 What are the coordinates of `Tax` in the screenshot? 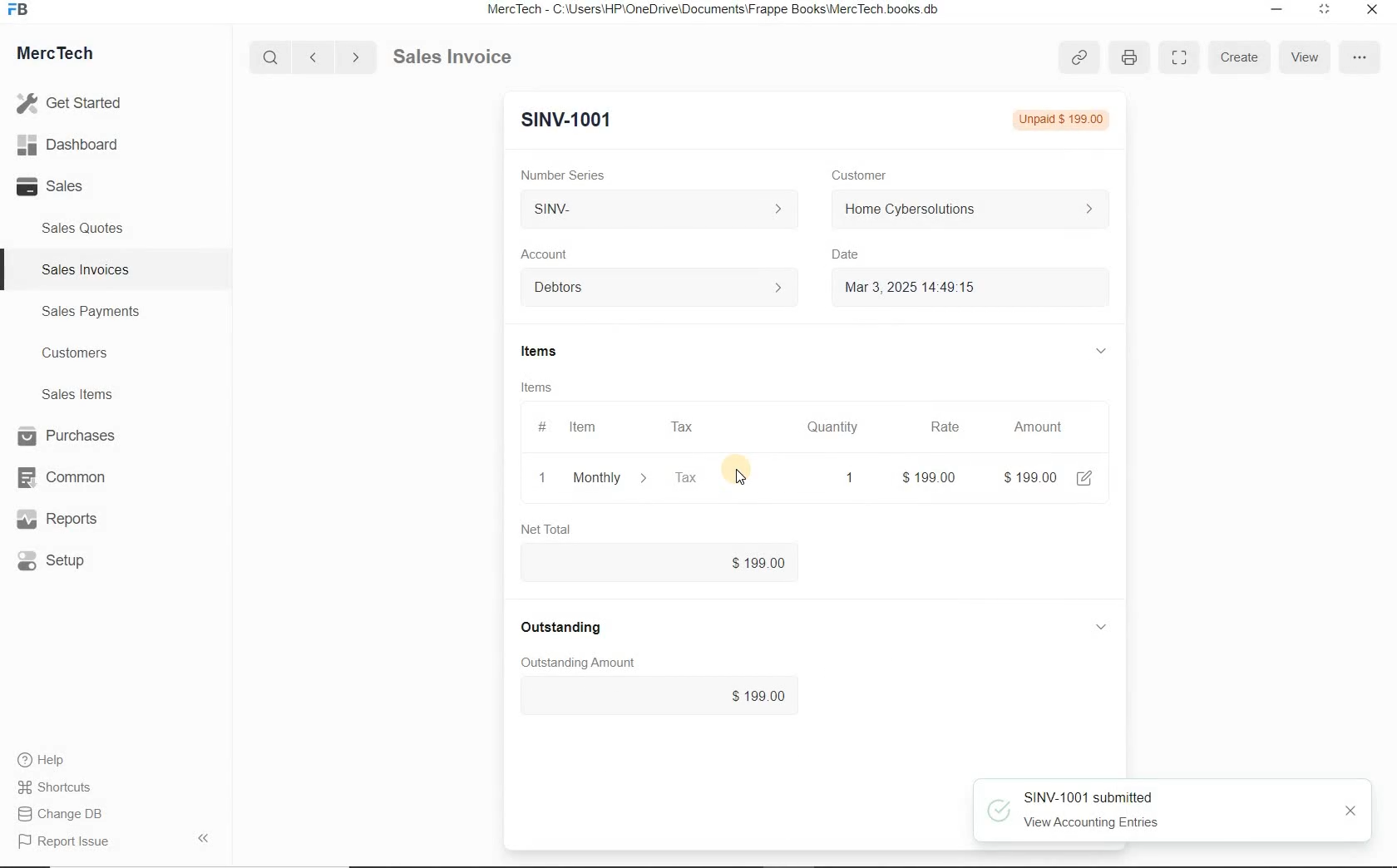 It's located at (714, 476).